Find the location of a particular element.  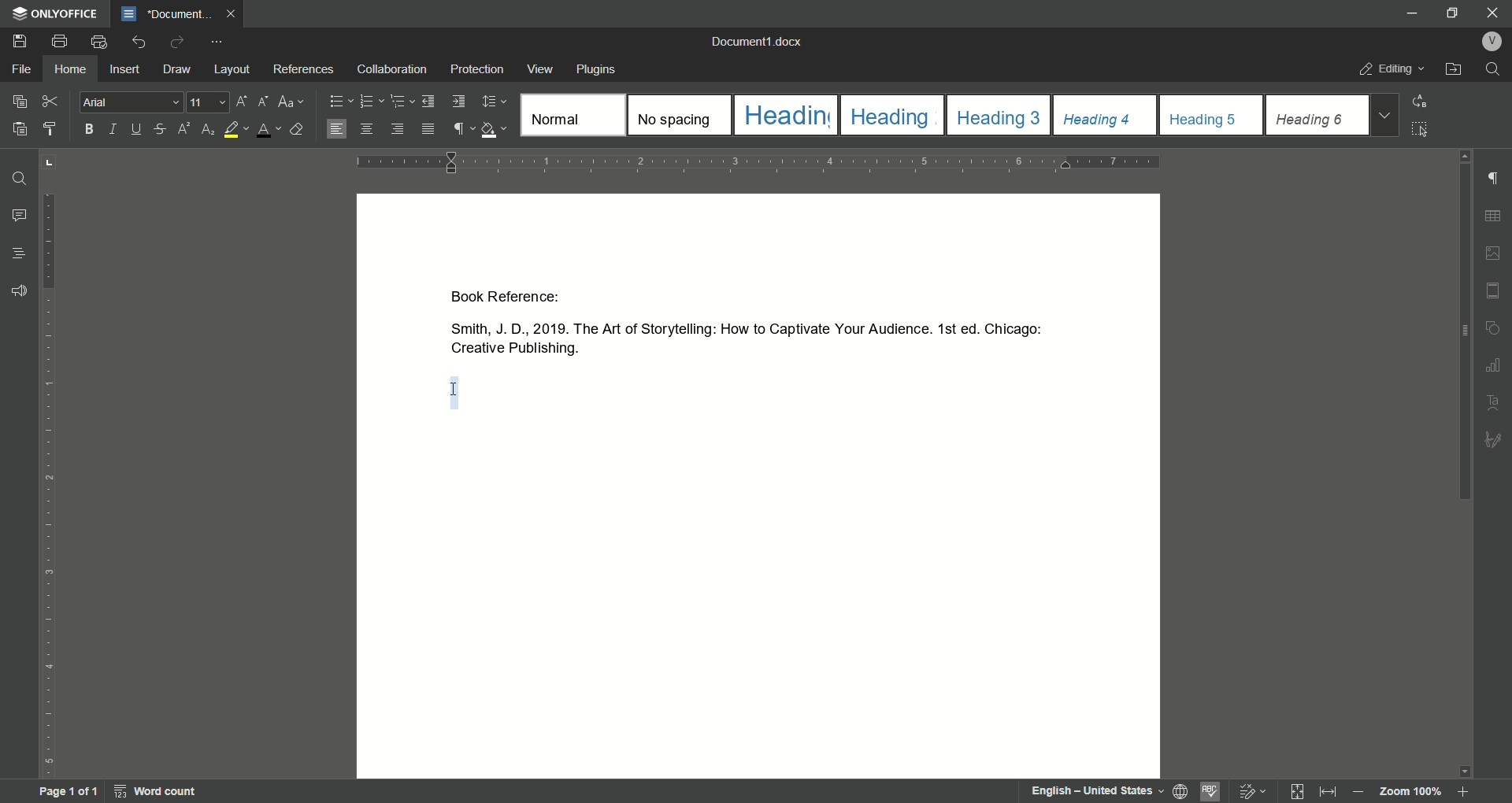

align left is located at coordinates (336, 129).